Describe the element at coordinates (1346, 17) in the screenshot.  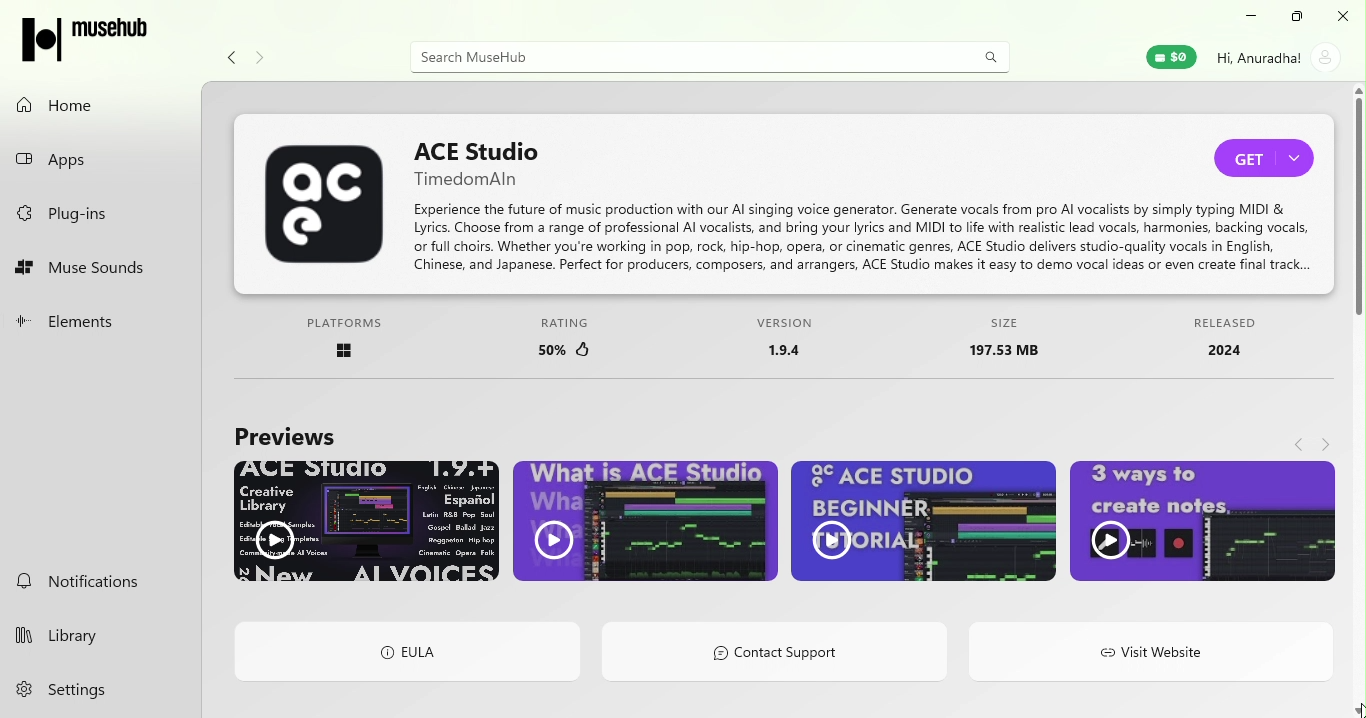
I see `close` at that location.